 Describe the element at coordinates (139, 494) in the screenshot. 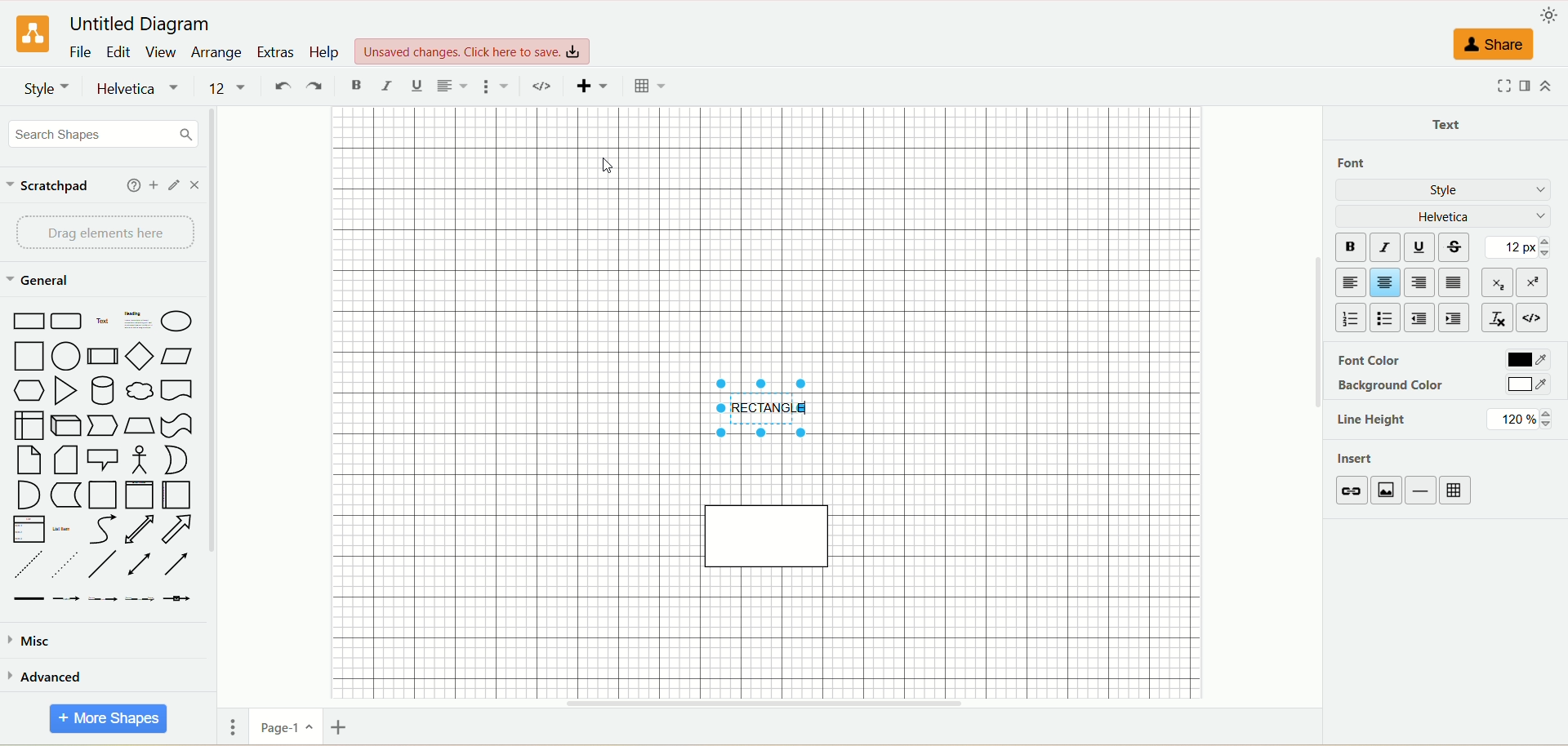

I see `vertical container` at that location.